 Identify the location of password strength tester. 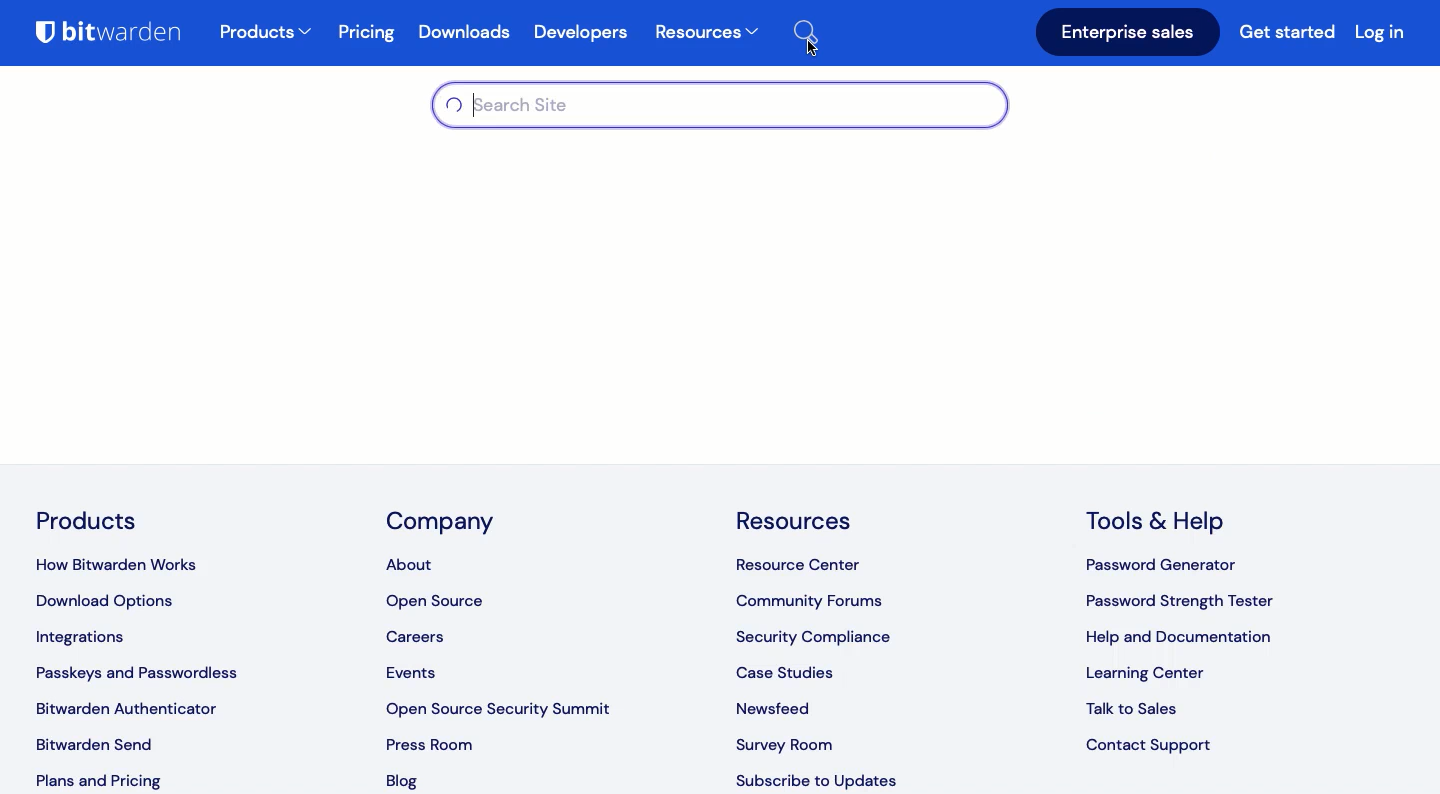
(1181, 602).